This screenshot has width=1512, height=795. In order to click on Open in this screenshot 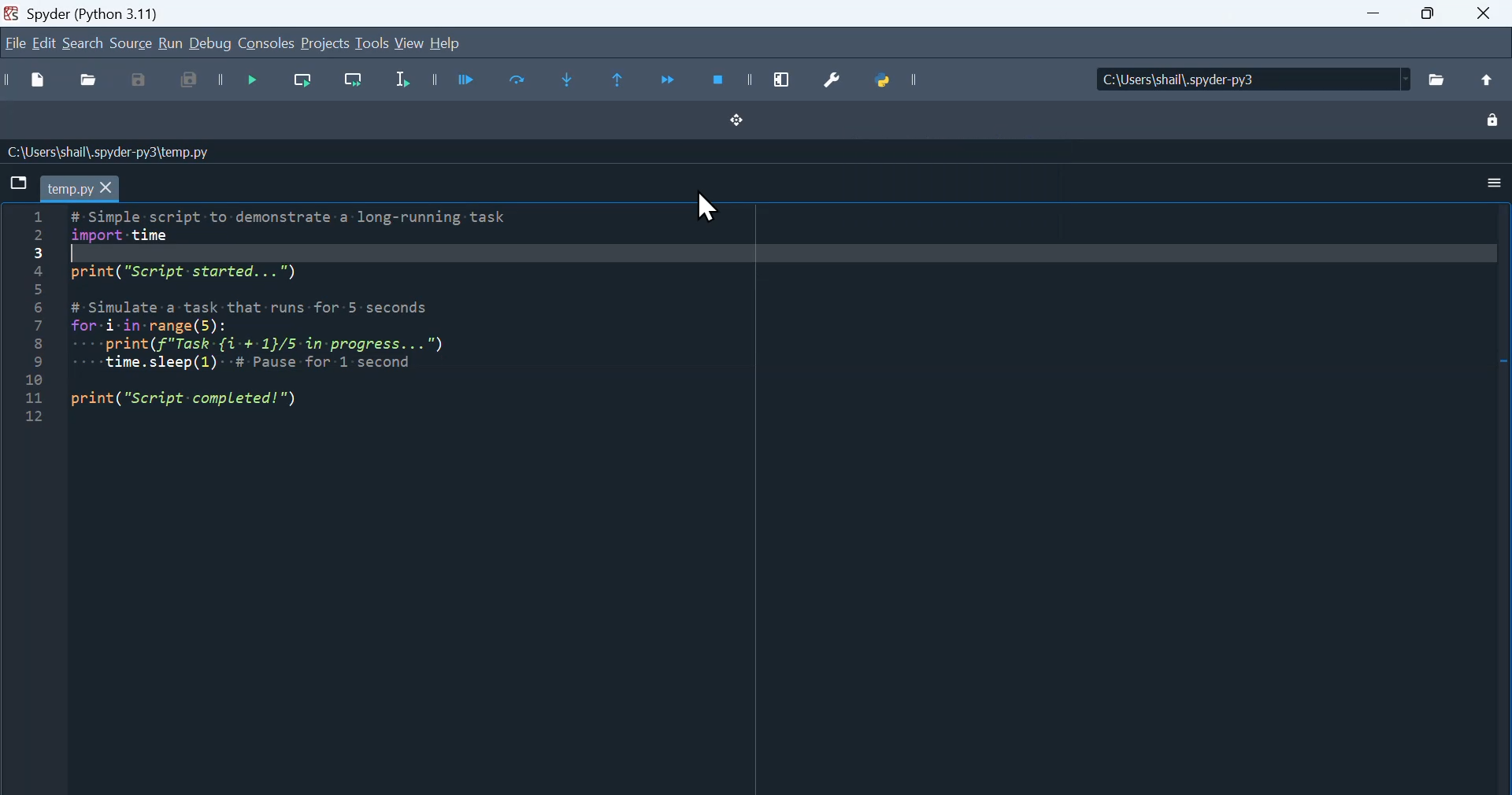, I will do `click(87, 83)`.